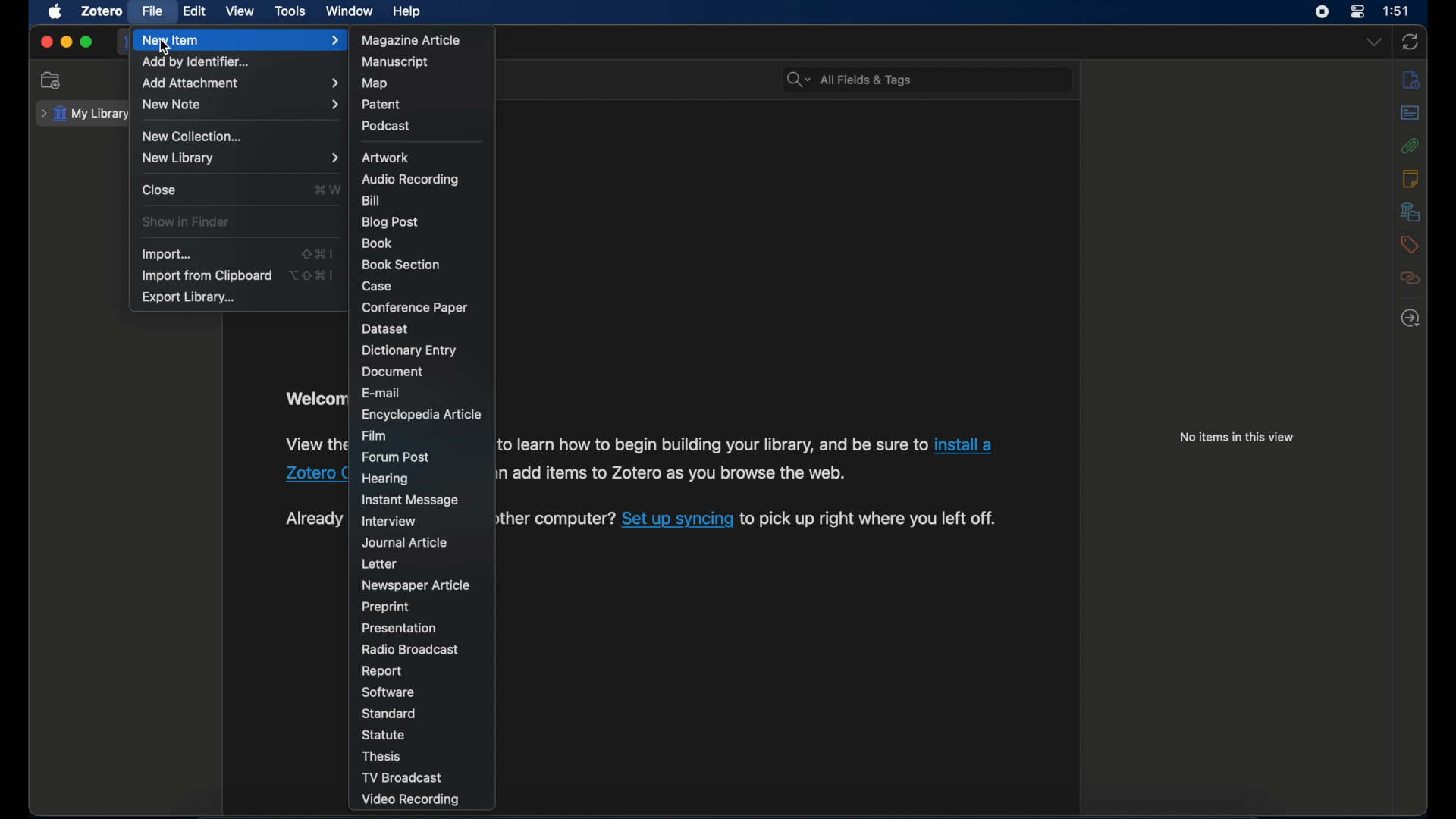  Describe the element at coordinates (924, 78) in the screenshot. I see `All Fields & Tags` at that location.